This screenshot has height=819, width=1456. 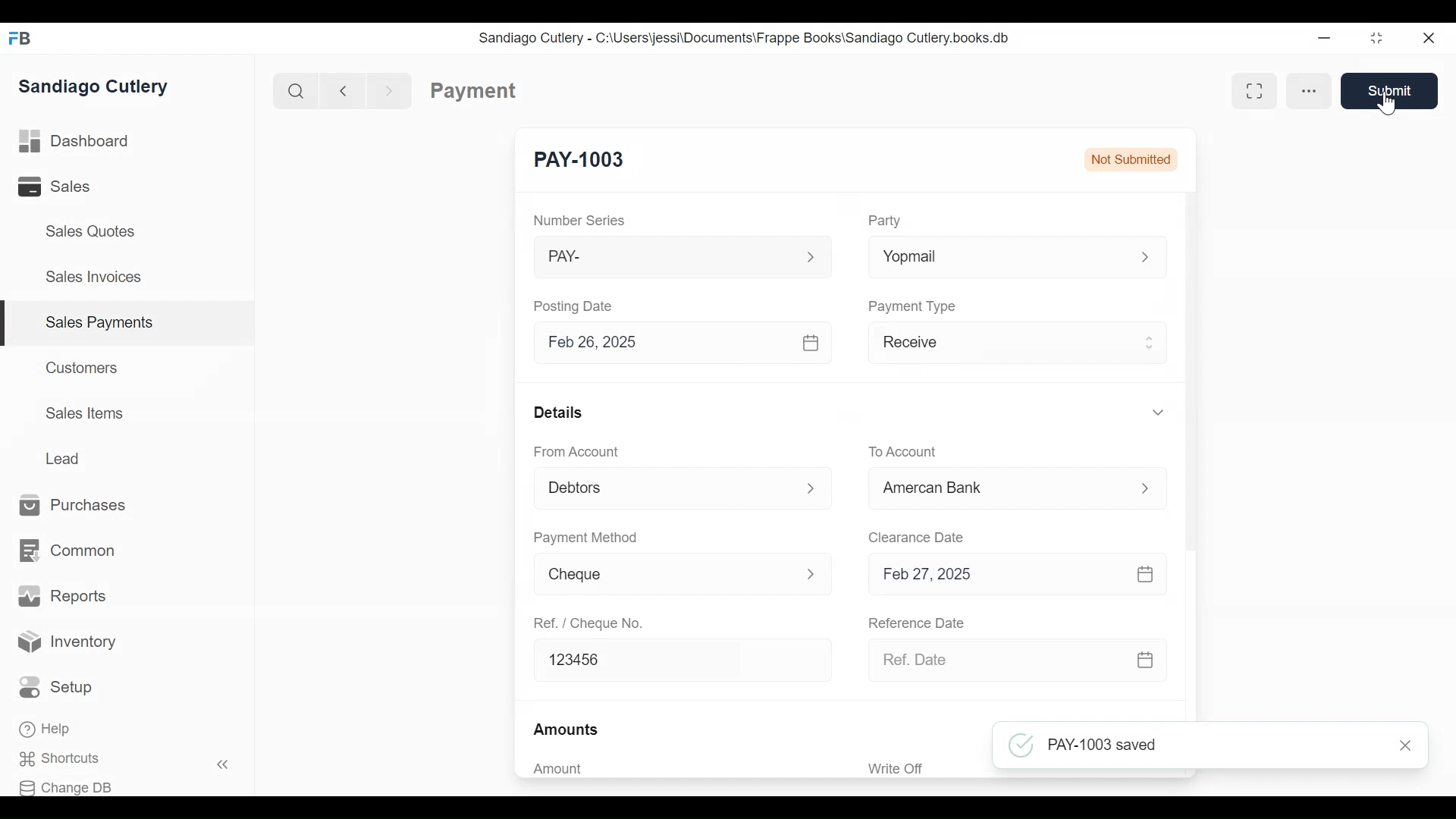 What do you see at coordinates (1158, 413) in the screenshot?
I see `Expand` at bounding box center [1158, 413].